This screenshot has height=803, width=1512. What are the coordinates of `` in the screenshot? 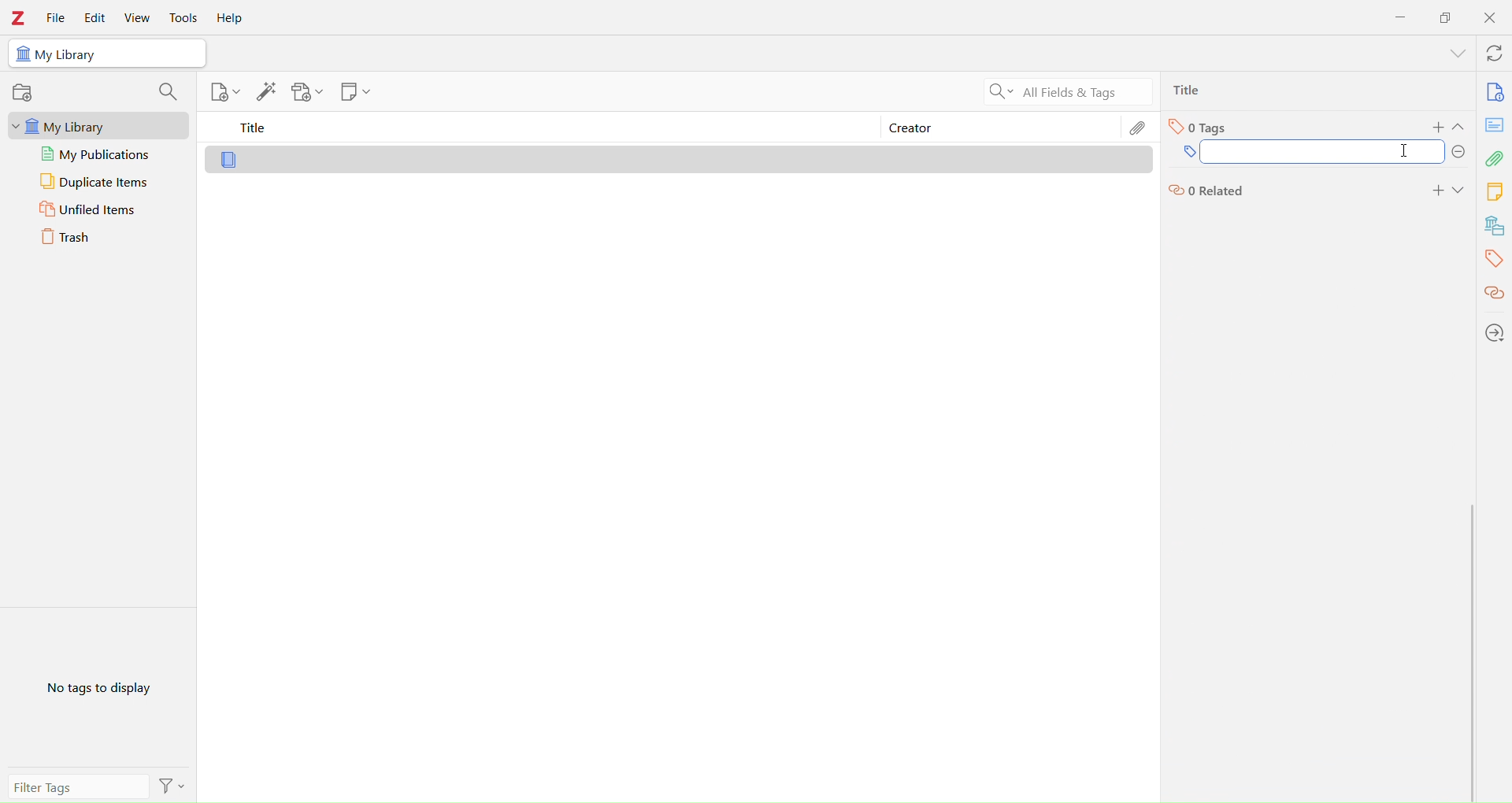 It's located at (184, 18).